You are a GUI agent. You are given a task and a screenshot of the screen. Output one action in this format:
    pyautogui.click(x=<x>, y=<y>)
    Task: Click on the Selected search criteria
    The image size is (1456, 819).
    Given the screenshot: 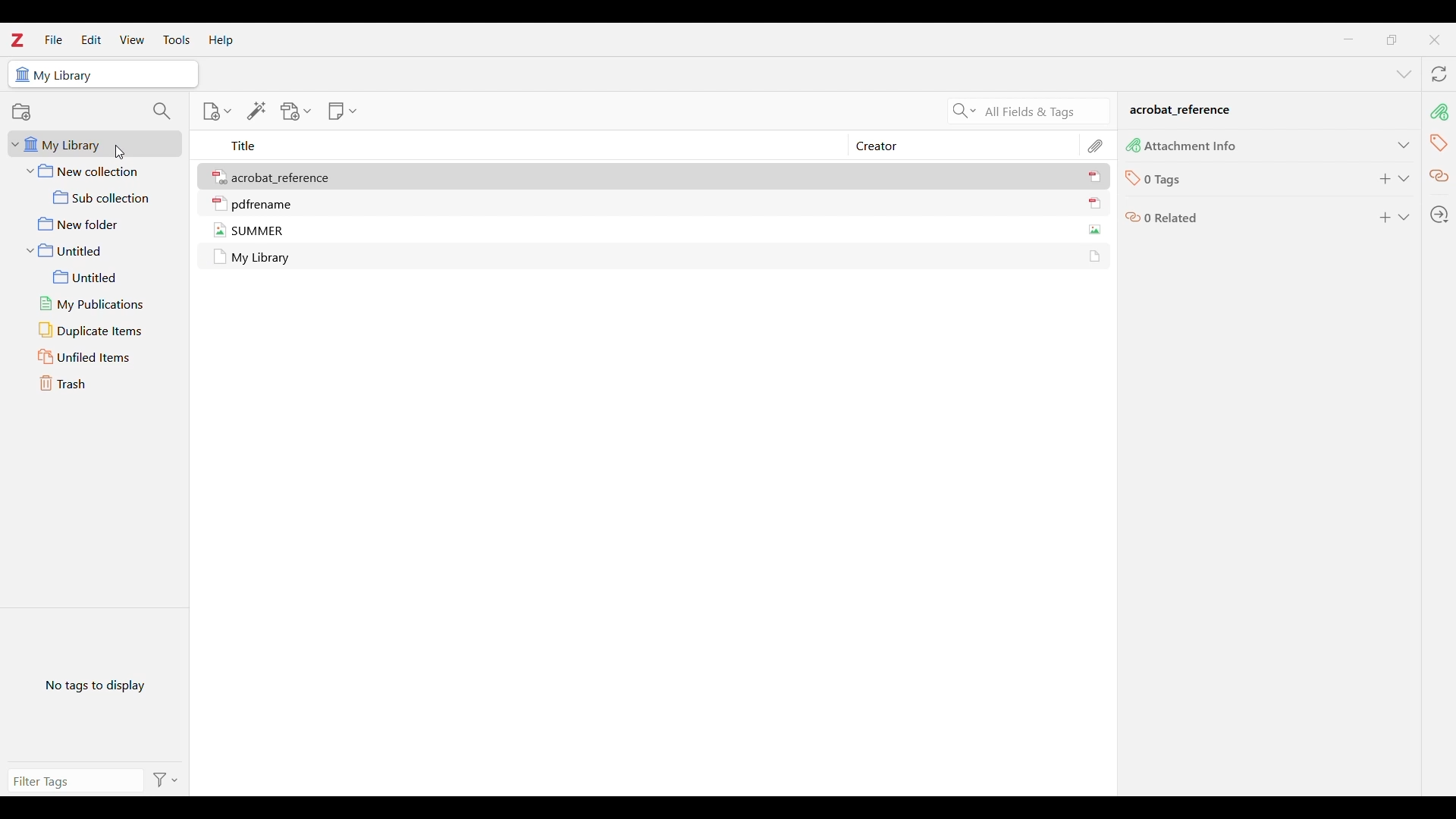 What is the action you would take?
    pyautogui.click(x=1043, y=112)
    